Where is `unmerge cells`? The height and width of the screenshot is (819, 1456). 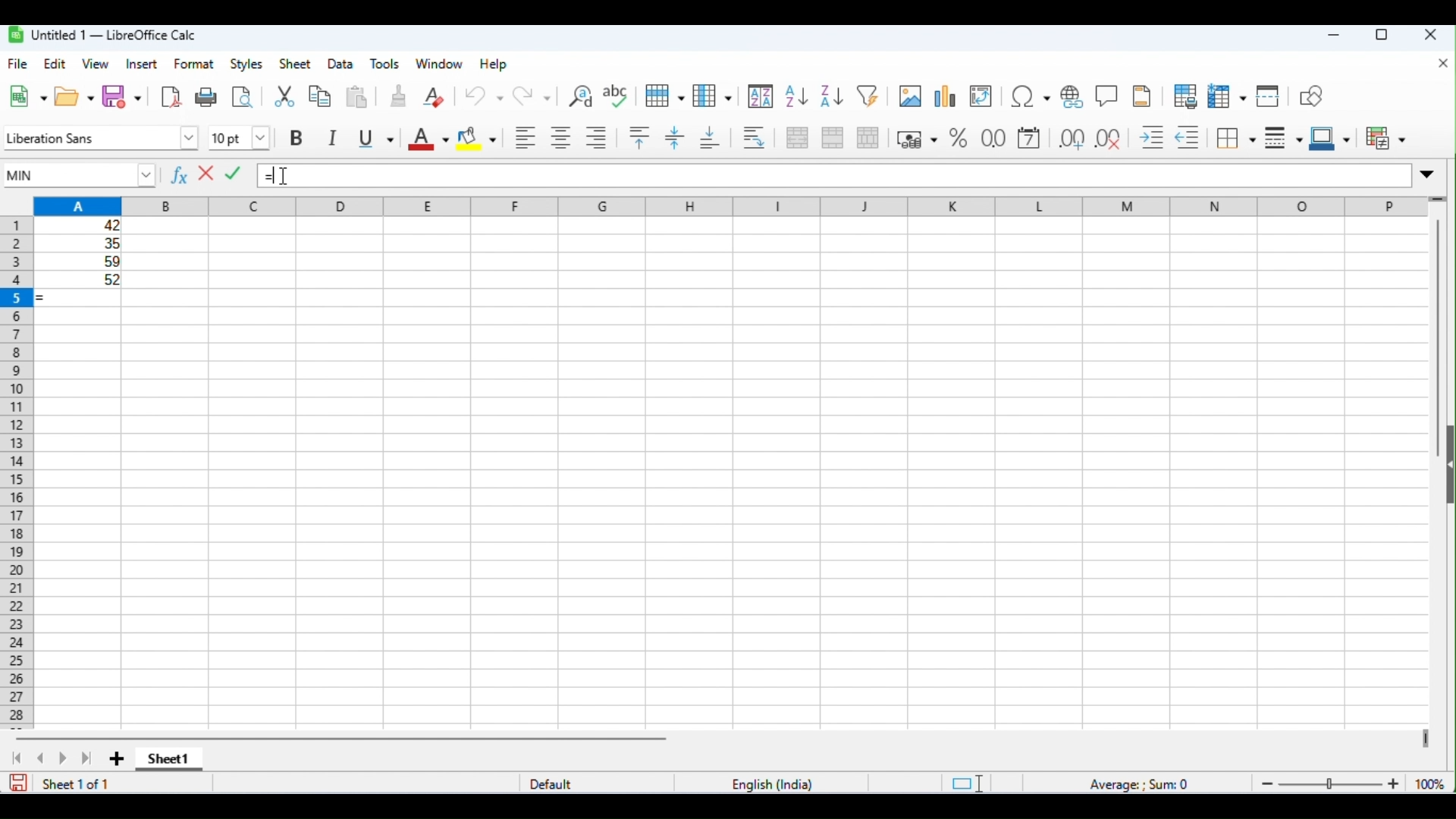
unmerge cells is located at coordinates (868, 137).